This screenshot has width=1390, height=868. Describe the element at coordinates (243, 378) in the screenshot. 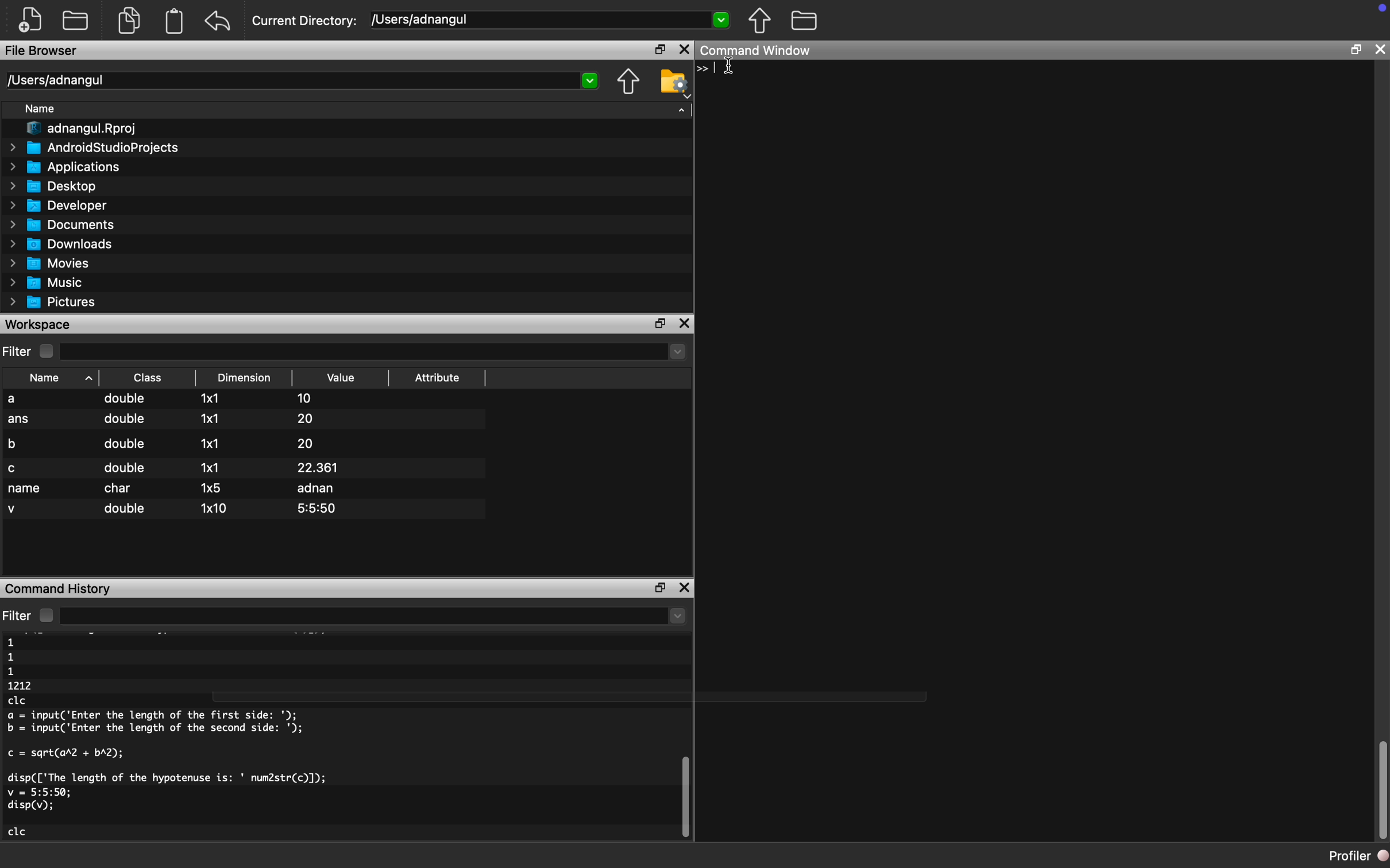

I see `Dimension` at that location.